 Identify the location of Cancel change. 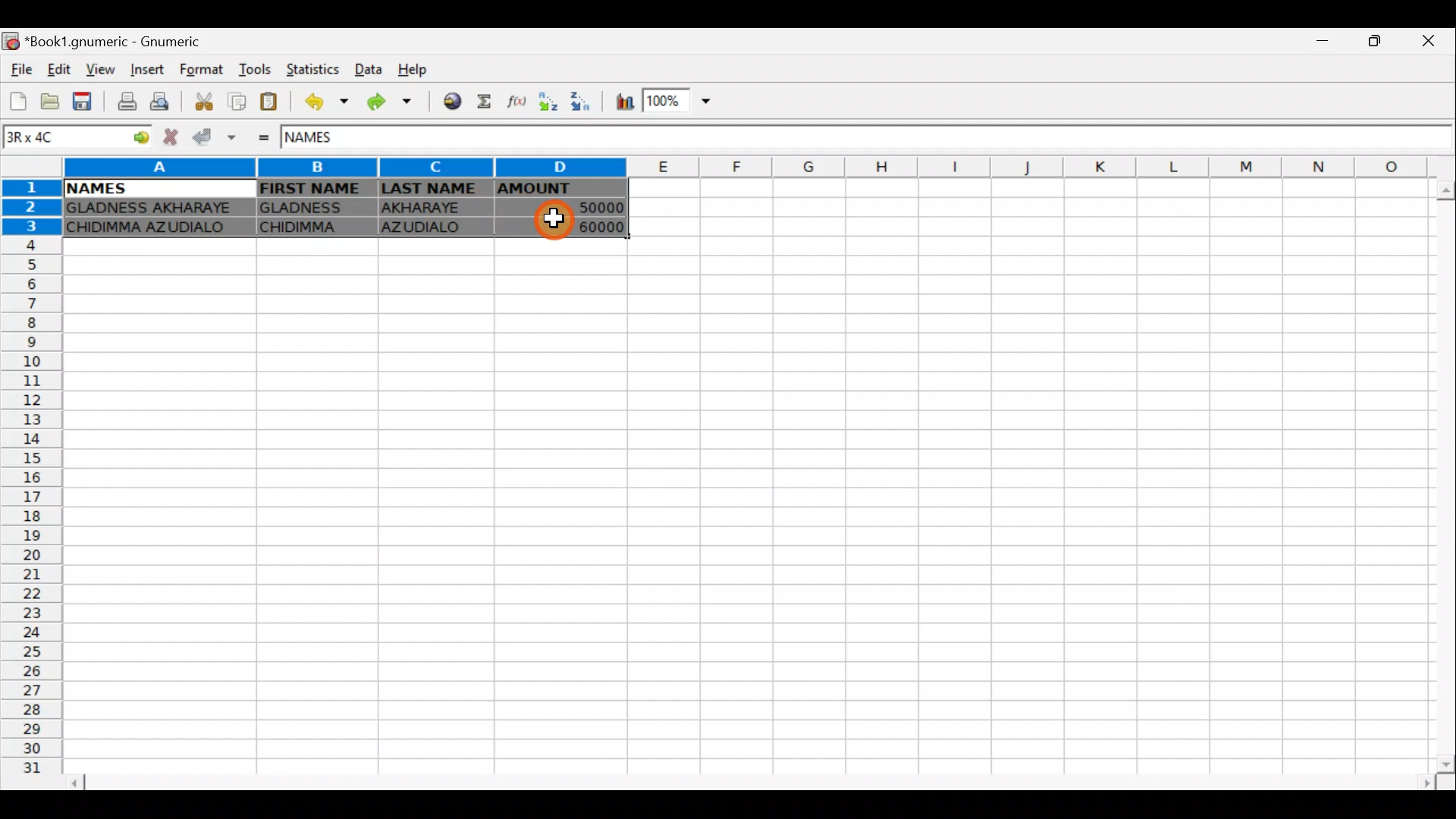
(168, 138).